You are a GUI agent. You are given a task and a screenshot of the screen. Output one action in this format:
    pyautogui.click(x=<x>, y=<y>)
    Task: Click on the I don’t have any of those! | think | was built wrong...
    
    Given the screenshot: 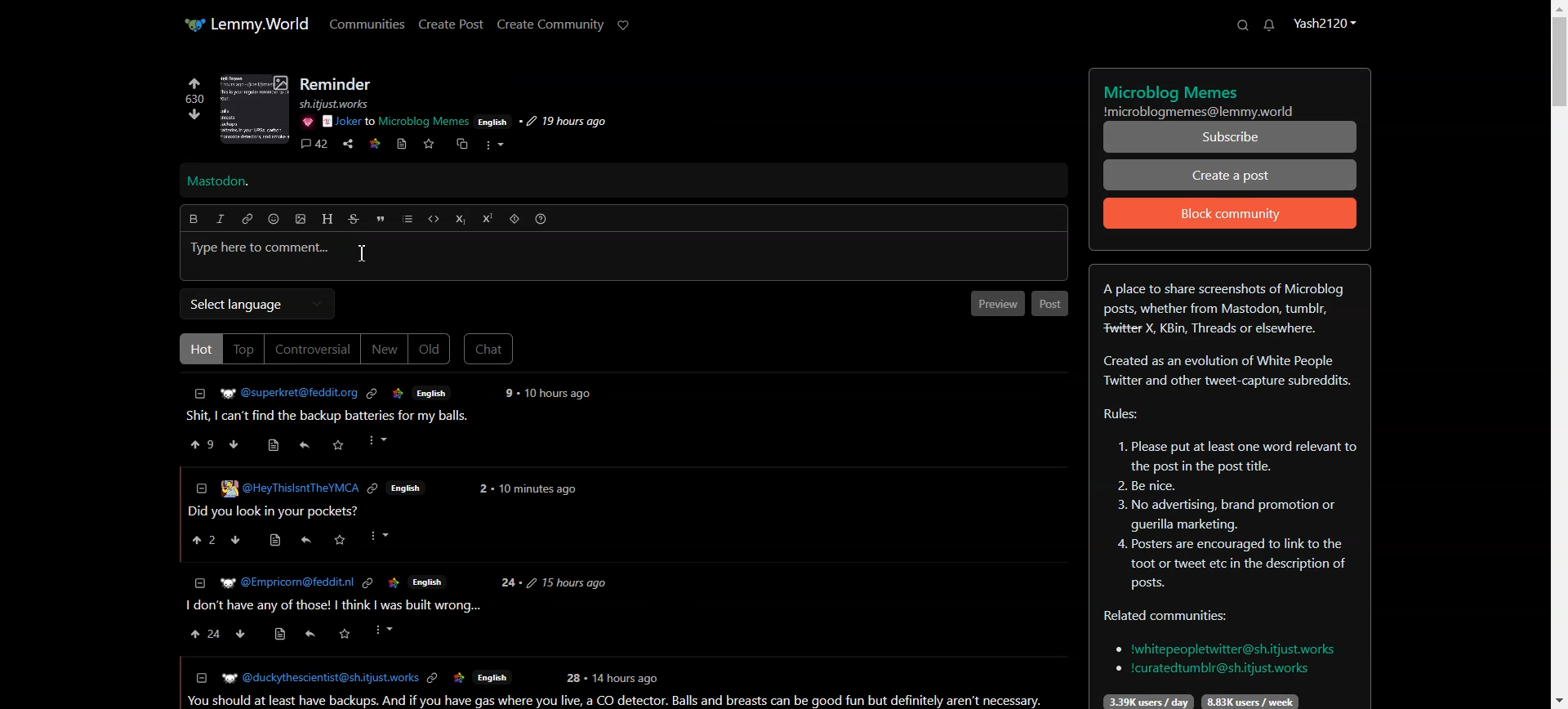 What is the action you would take?
    pyautogui.click(x=332, y=606)
    